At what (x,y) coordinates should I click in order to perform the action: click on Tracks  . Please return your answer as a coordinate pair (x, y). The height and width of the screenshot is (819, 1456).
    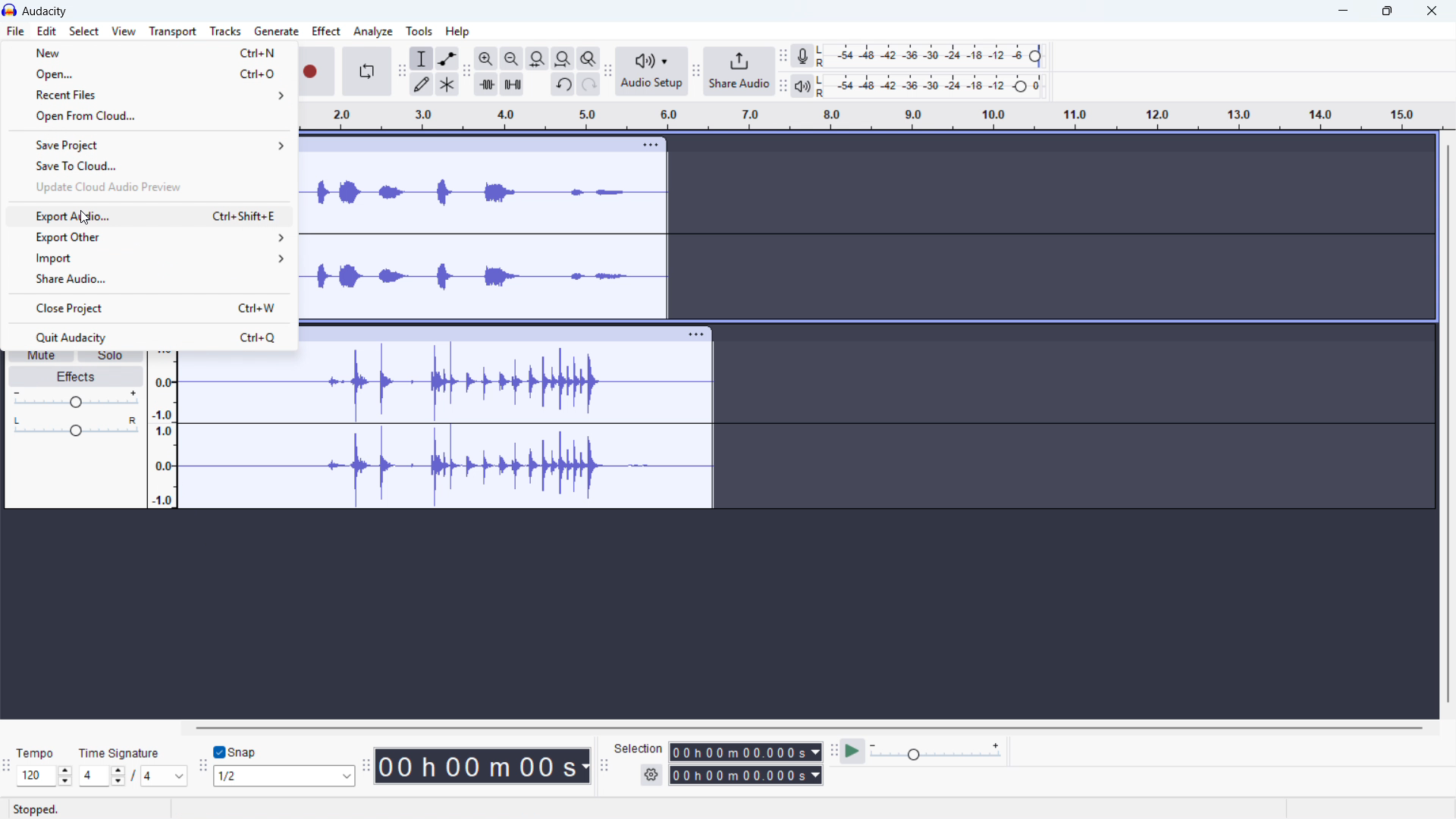
    Looking at the image, I should click on (224, 30).